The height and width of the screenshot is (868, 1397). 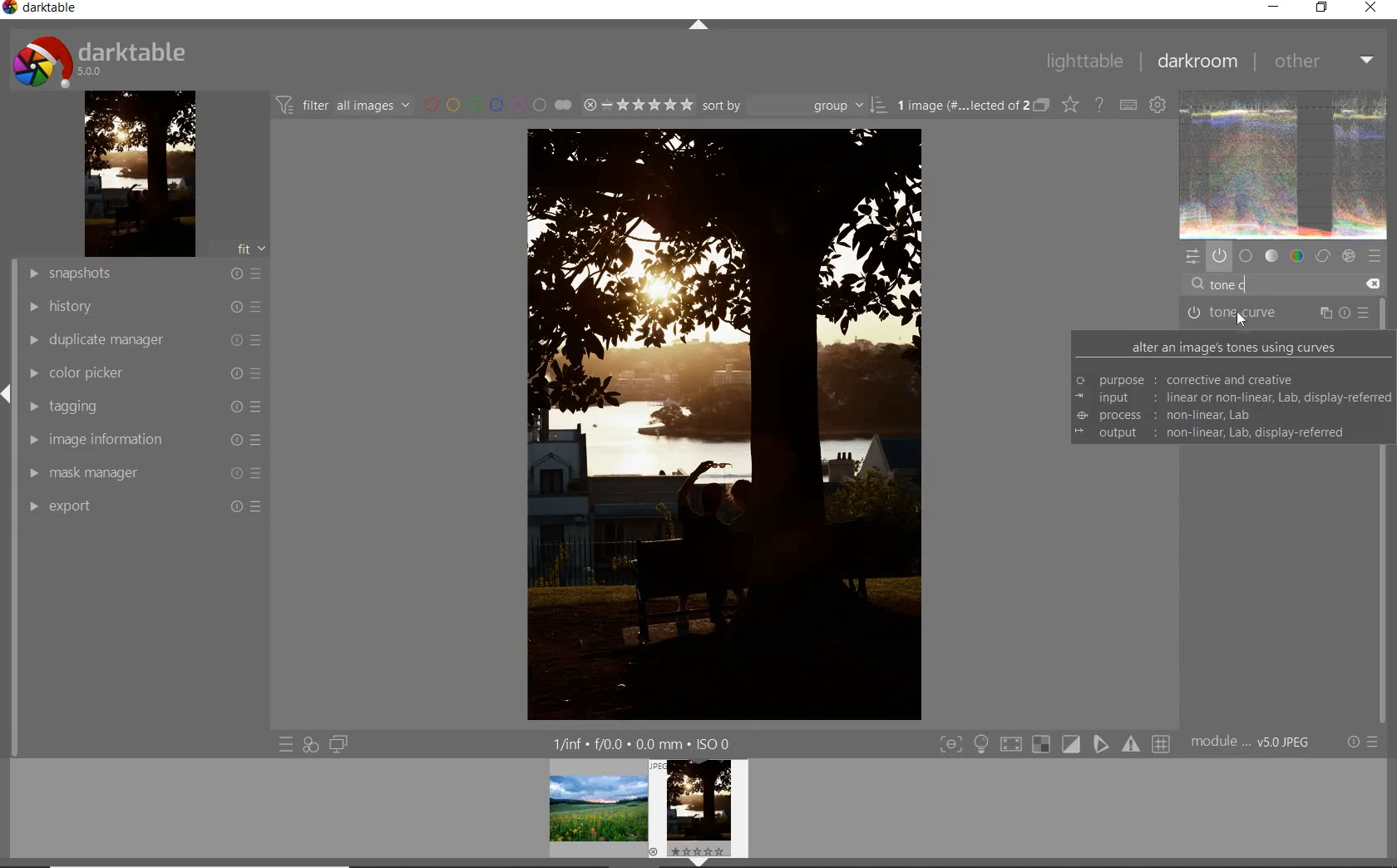 What do you see at coordinates (1131, 105) in the screenshot?
I see `define keyboard shortcuts` at bounding box center [1131, 105].